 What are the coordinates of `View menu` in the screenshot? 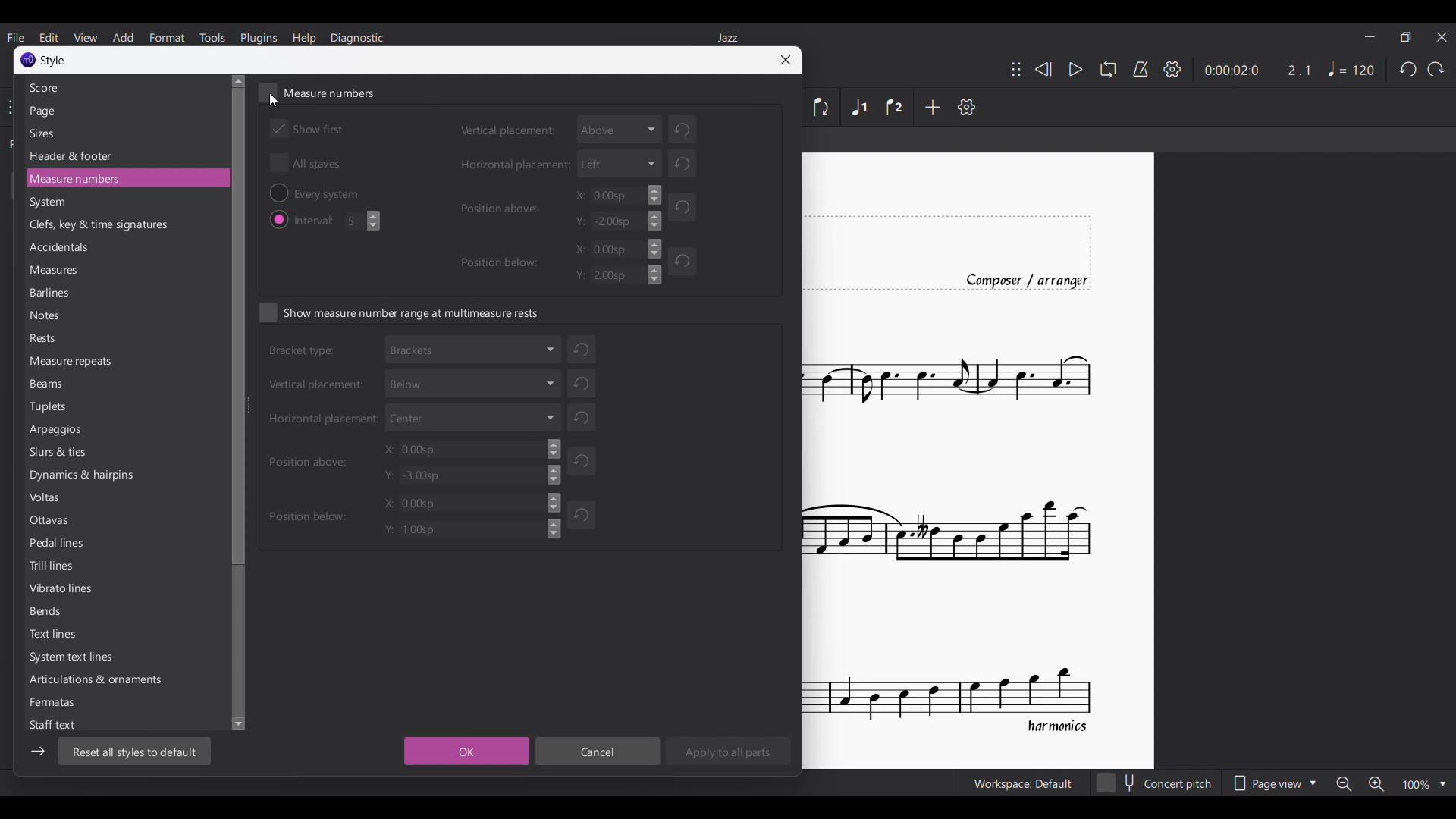 It's located at (85, 37).